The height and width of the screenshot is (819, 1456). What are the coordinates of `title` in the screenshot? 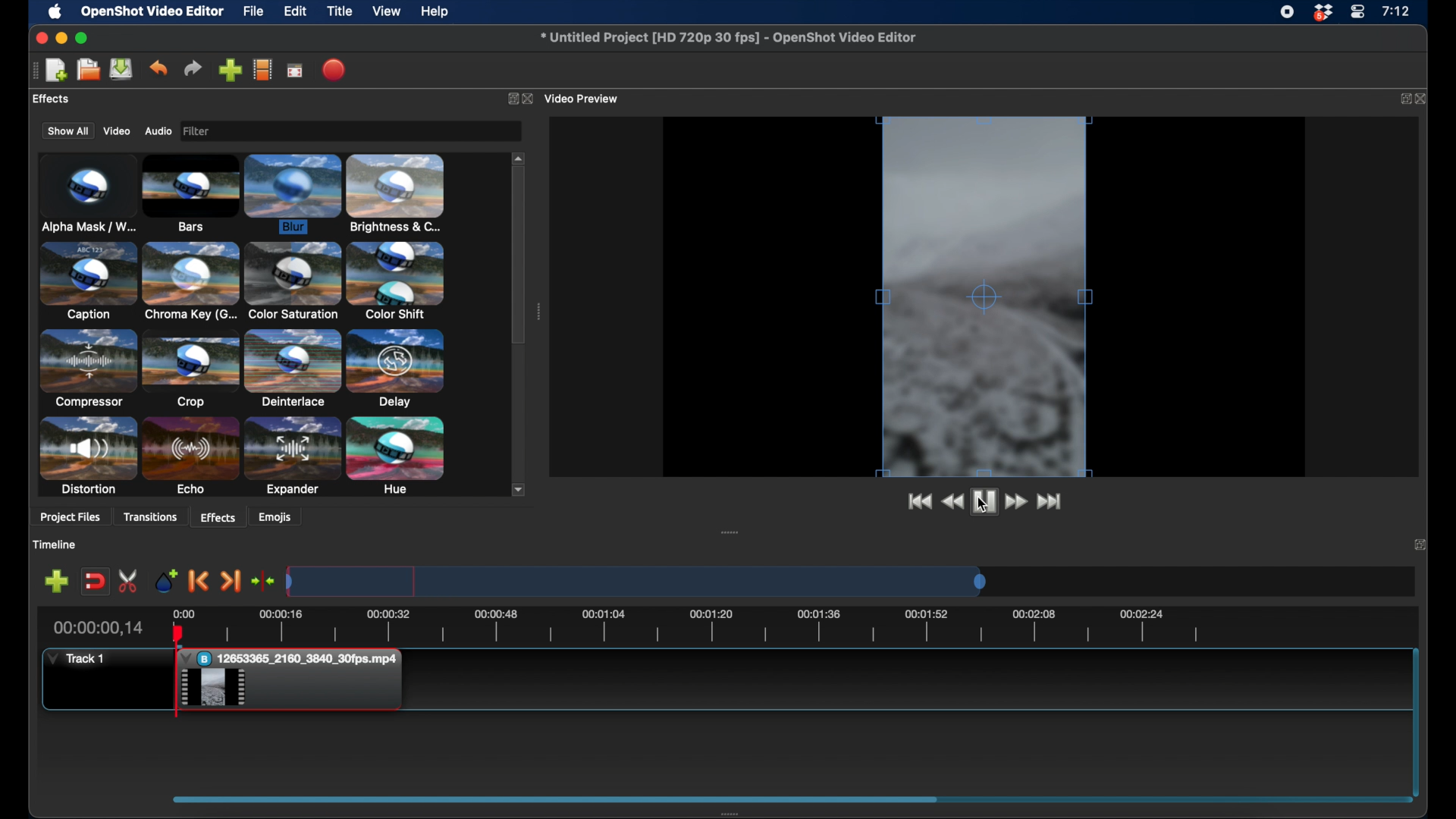 It's located at (340, 11).